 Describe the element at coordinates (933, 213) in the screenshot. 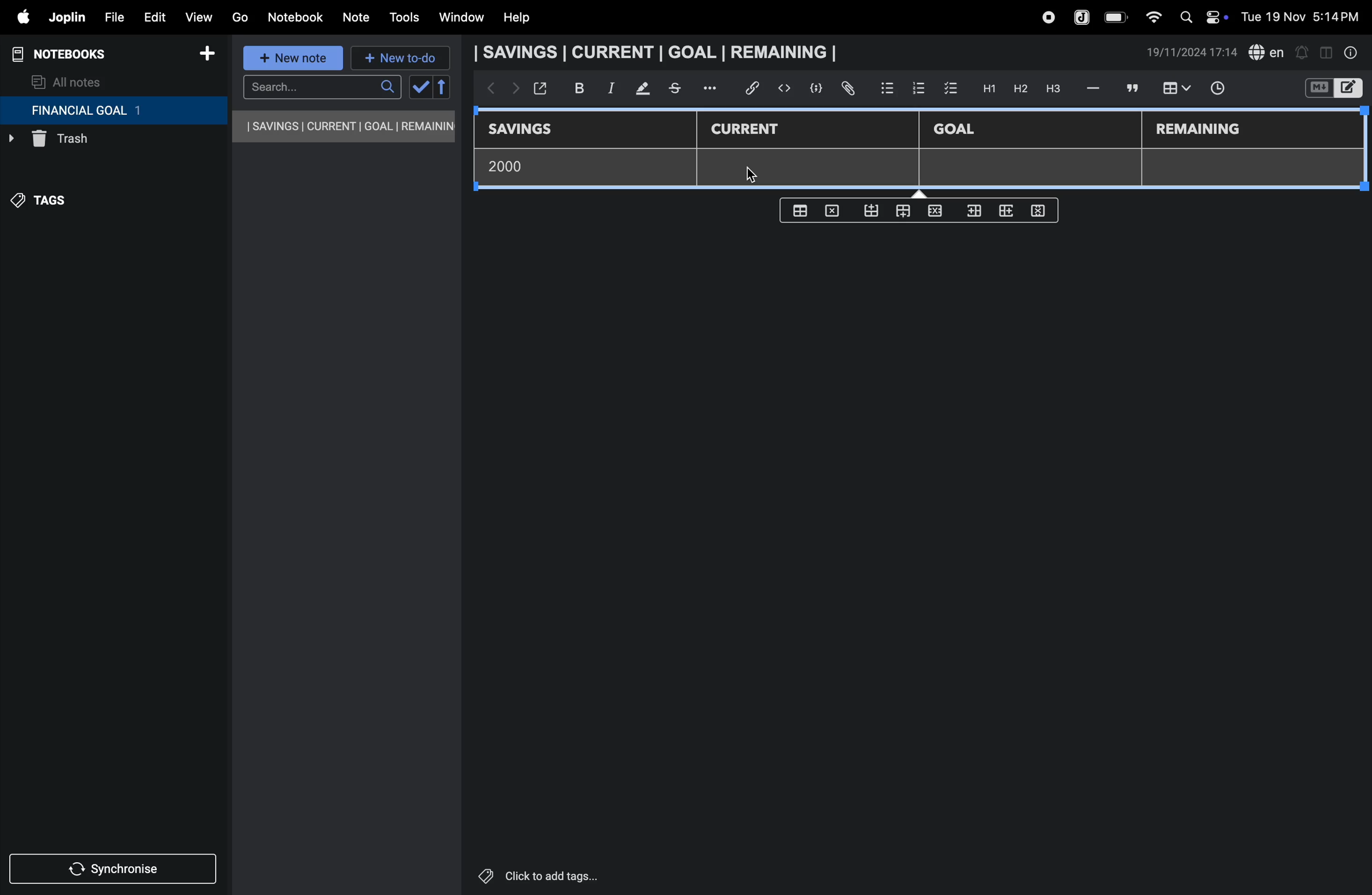

I see `close rows` at that location.